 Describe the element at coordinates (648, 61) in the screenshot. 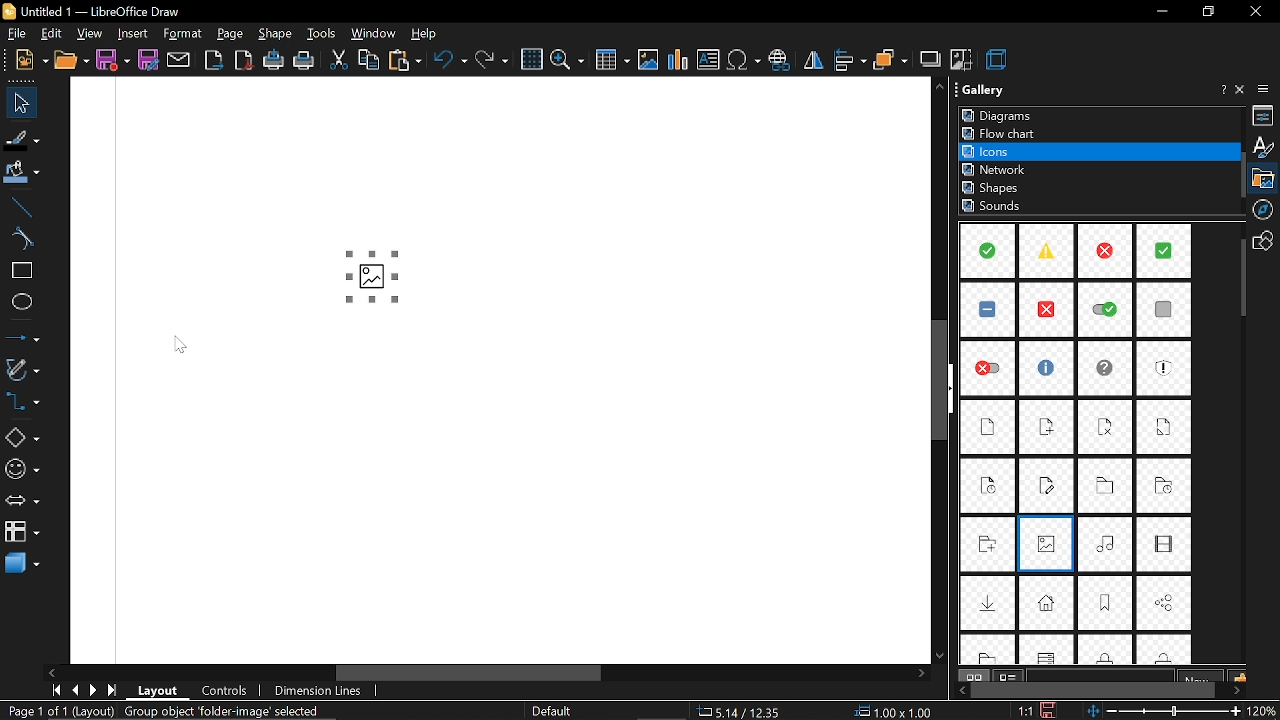

I see `insert image` at that location.